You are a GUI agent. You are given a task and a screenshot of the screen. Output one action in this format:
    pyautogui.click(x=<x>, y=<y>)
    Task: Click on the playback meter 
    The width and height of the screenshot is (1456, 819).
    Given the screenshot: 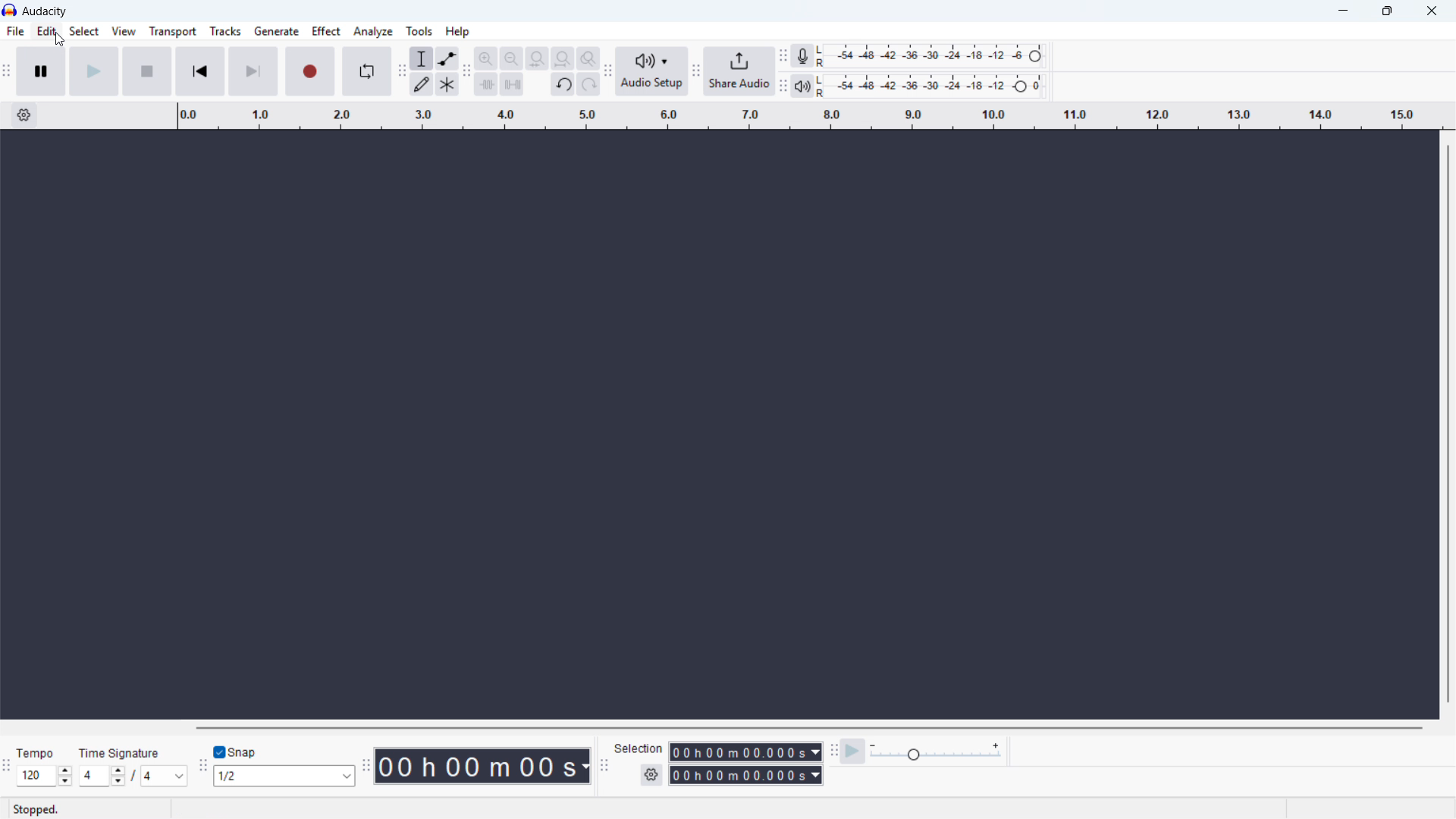 What is the action you would take?
    pyautogui.click(x=803, y=86)
    